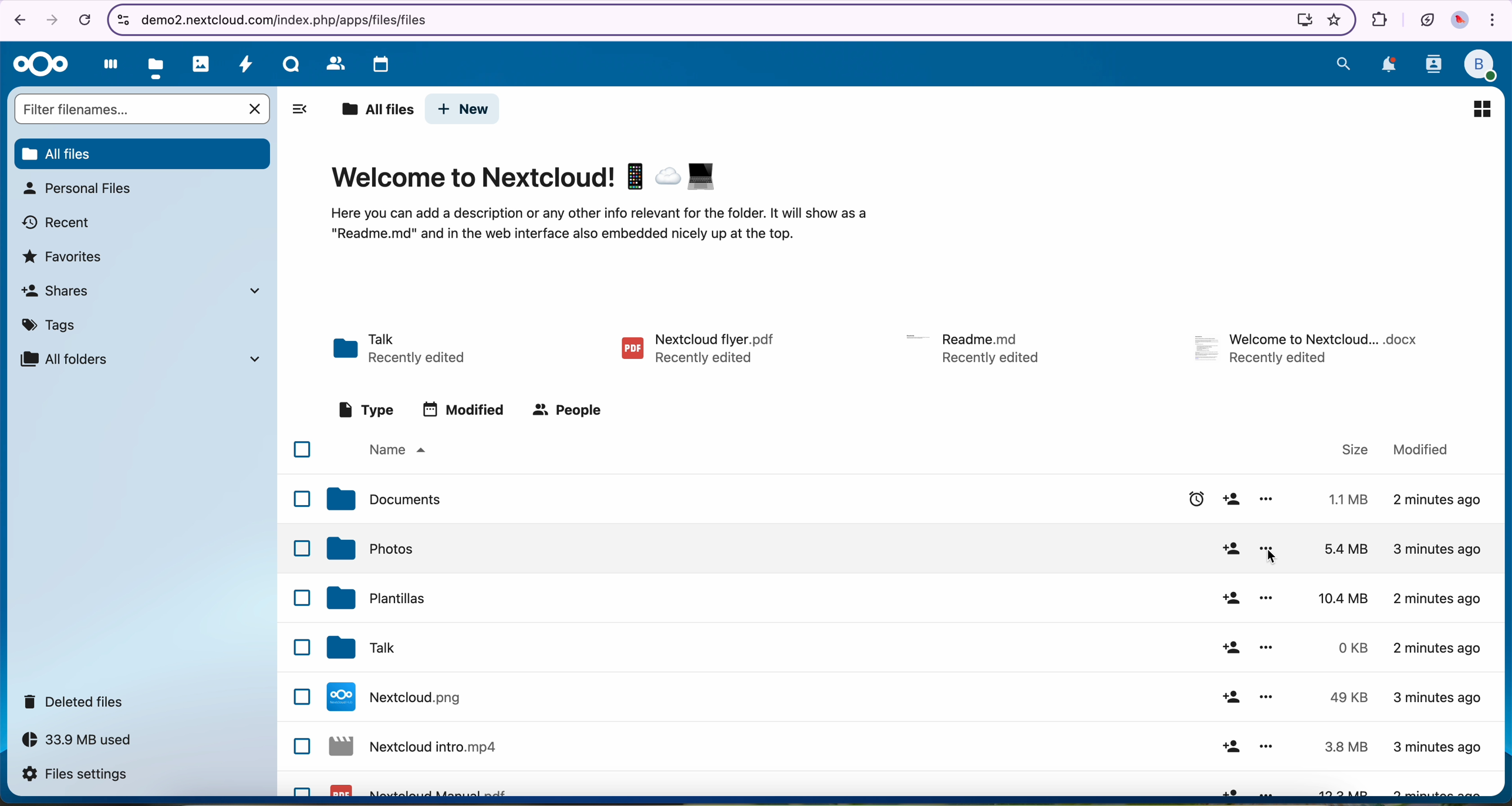 The image size is (1512, 806). I want to click on 2 minutes ago, so click(1438, 652).